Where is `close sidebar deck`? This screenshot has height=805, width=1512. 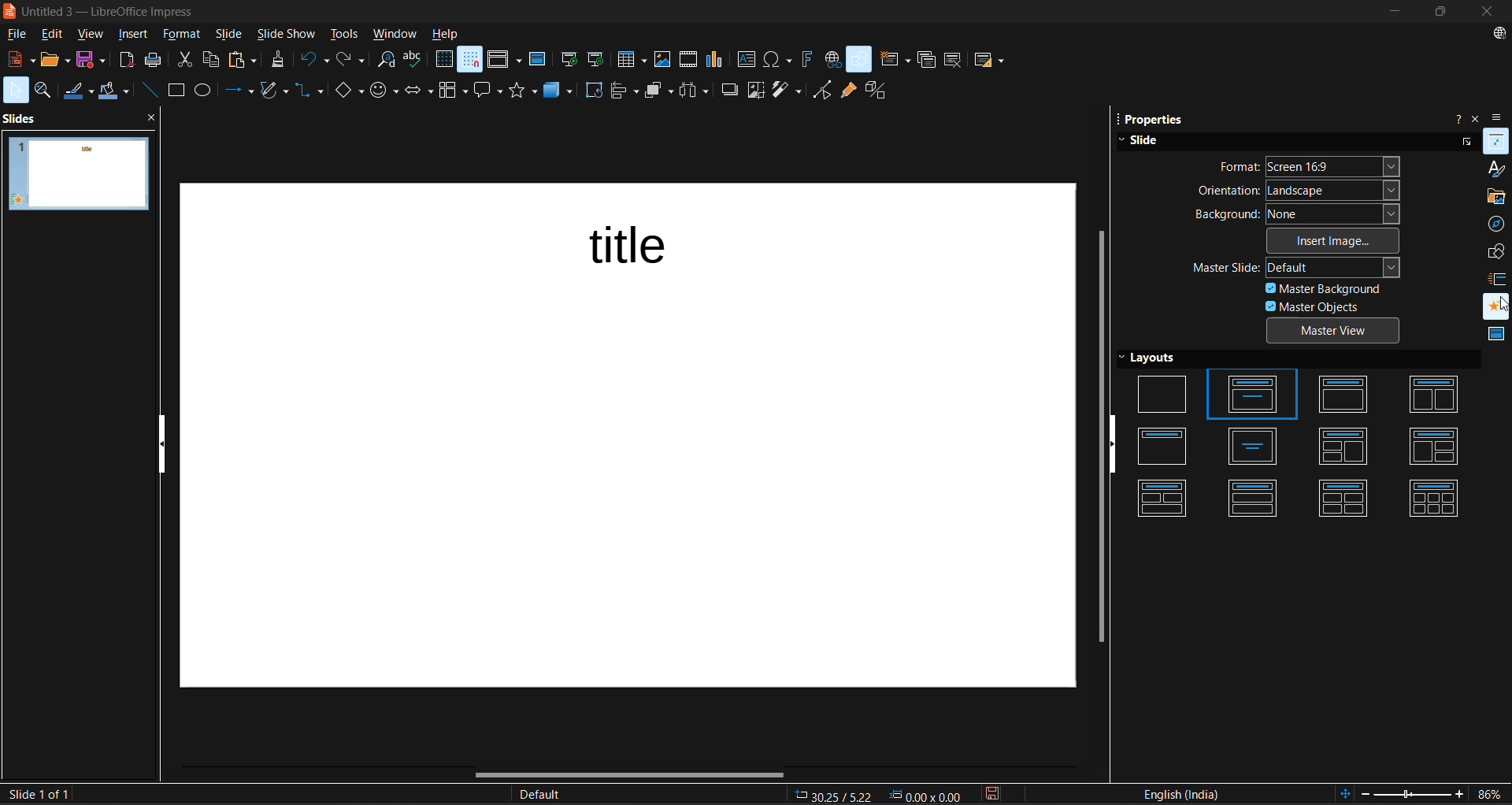 close sidebar deck is located at coordinates (1477, 117).